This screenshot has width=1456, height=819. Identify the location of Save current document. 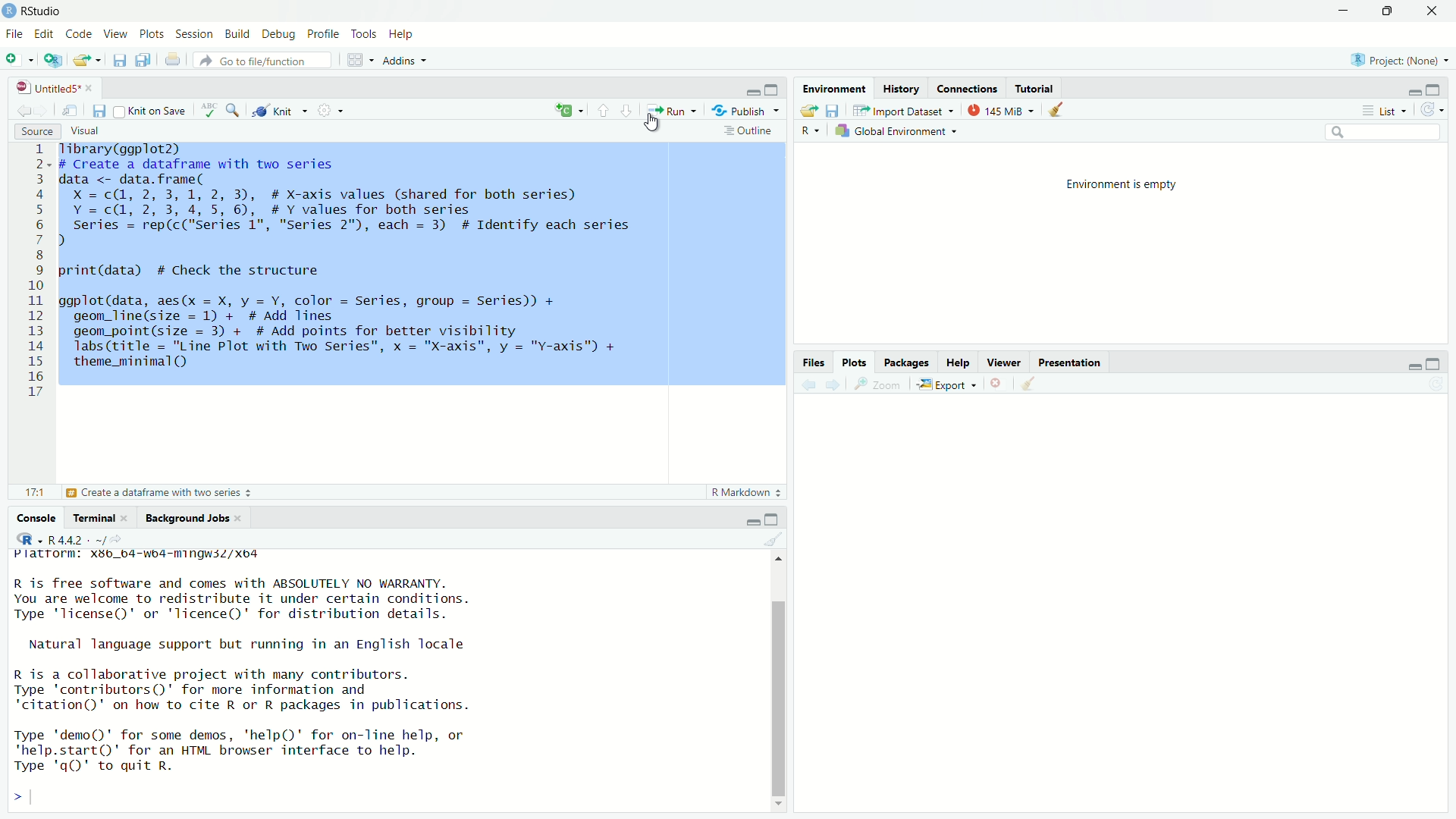
(99, 111).